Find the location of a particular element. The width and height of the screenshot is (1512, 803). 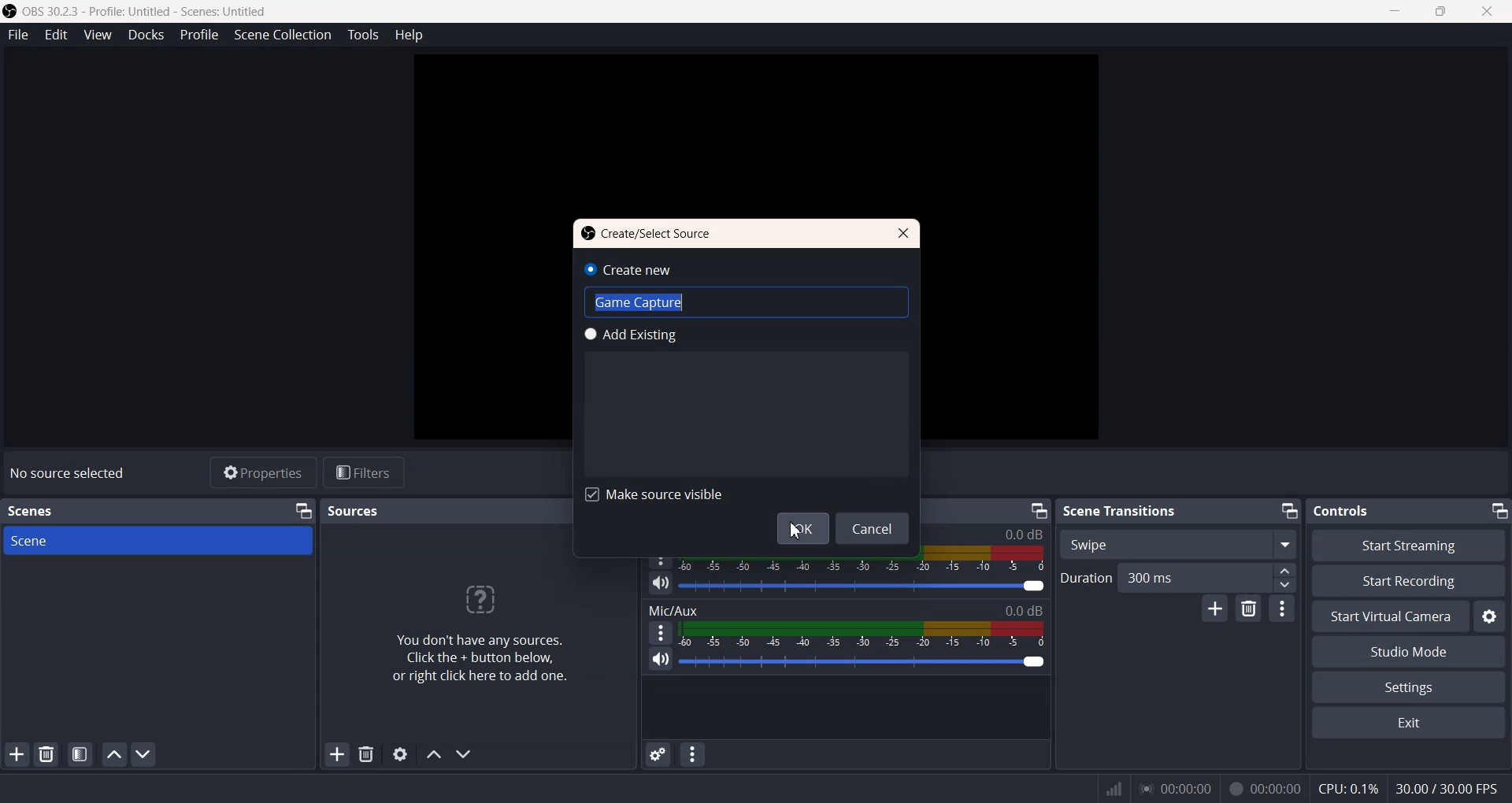

Studio Mode is located at coordinates (1410, 652).